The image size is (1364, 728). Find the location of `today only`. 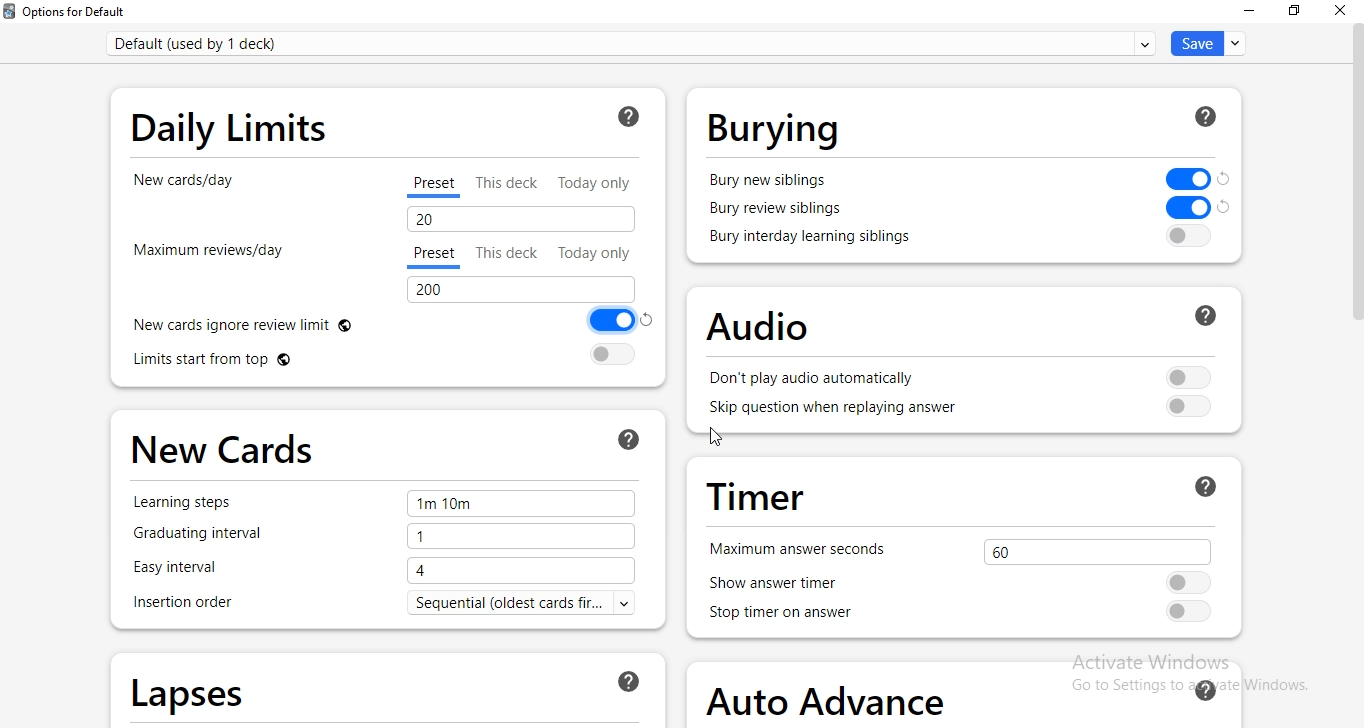

today only is located at coordinates (593, 253).